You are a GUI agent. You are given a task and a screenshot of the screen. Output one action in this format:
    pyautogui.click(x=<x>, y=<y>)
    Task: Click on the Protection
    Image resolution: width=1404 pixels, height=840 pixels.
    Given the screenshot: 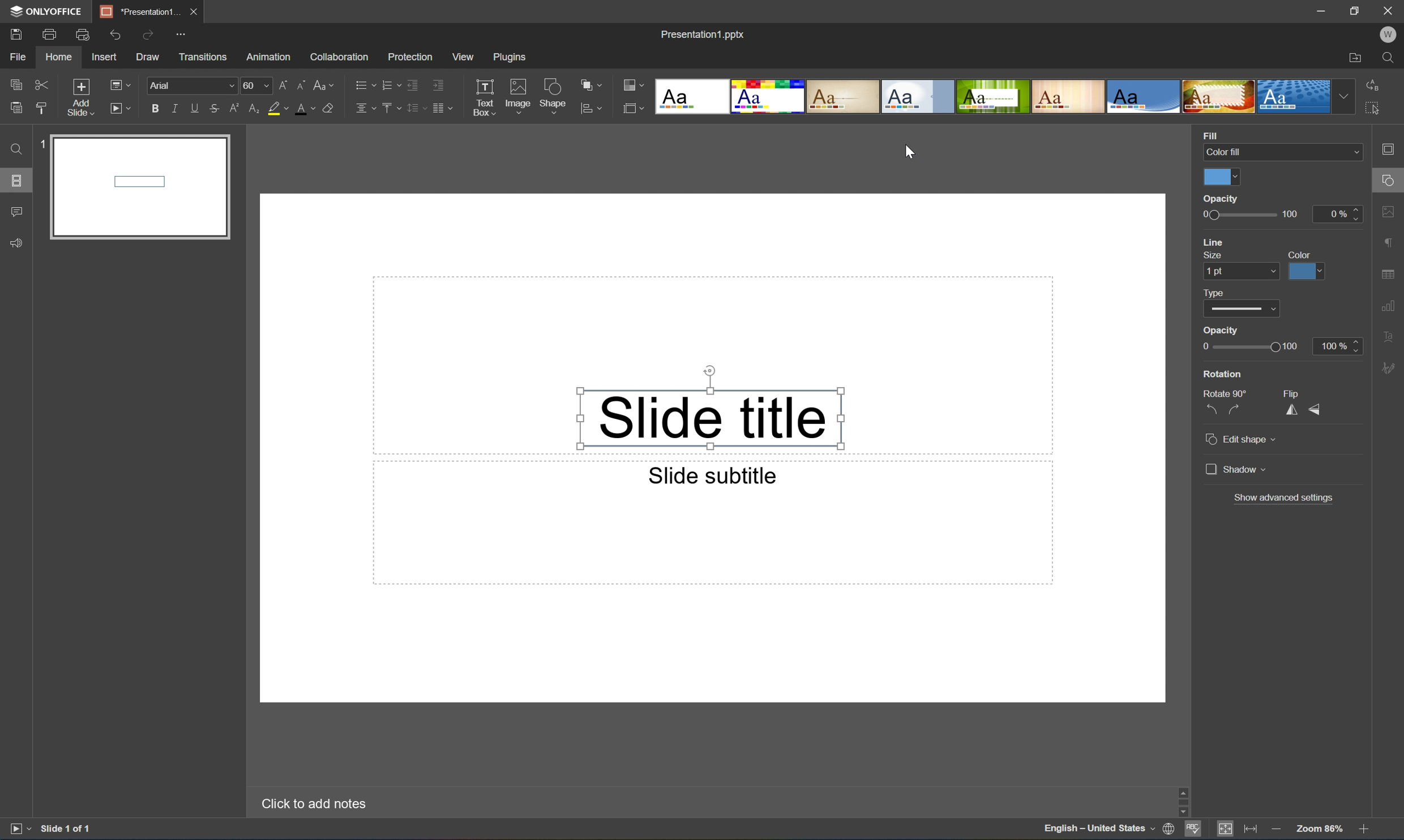 What is the action you would take?
    pyautogui.click(x=409, y=56)
    